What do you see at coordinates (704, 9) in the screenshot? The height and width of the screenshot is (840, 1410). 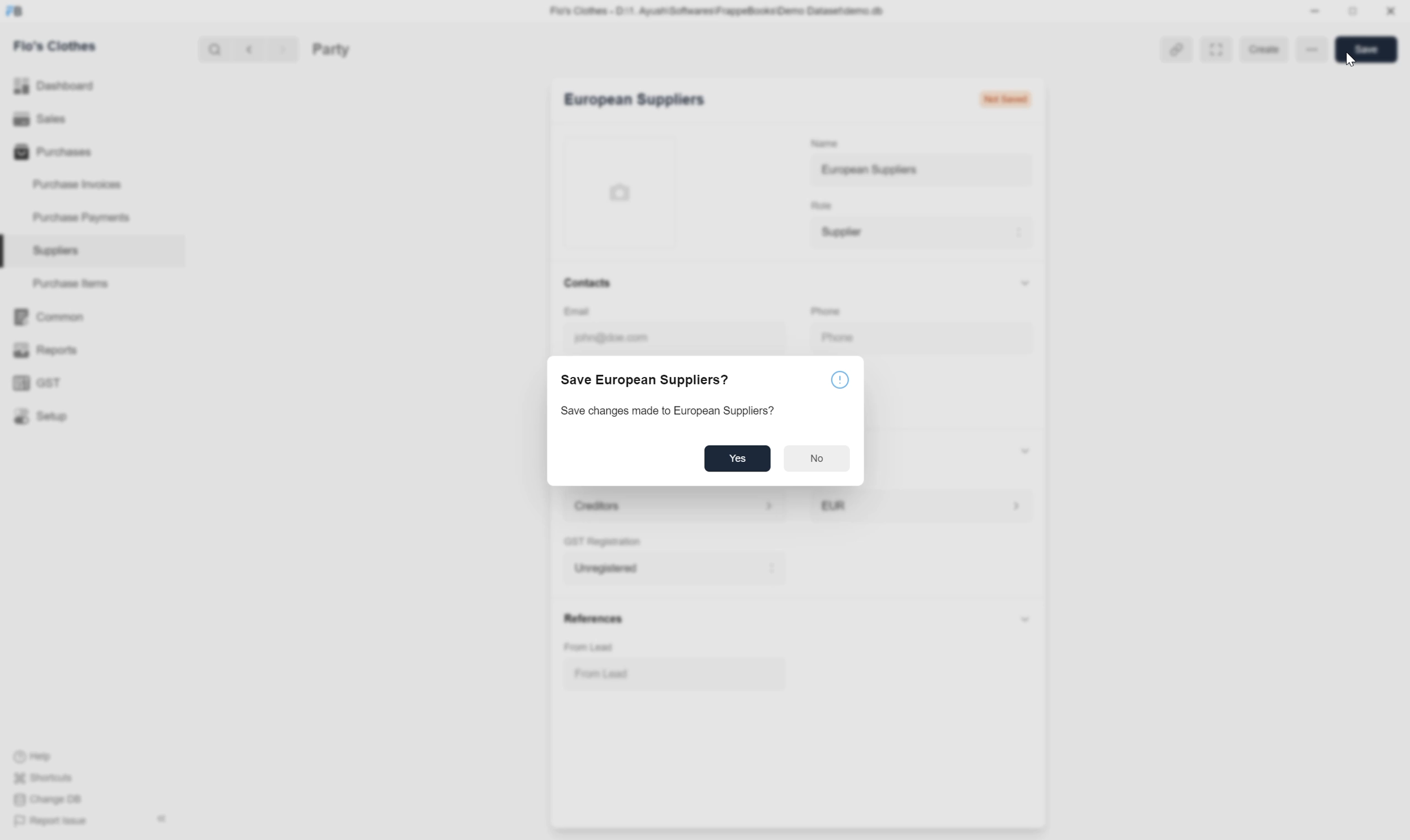 I see `Flo's Clothes - D:\1. Ayush\Softwares\FrappeBooks\Demo Dataset\demo.db` at bounding box center [704, 9].